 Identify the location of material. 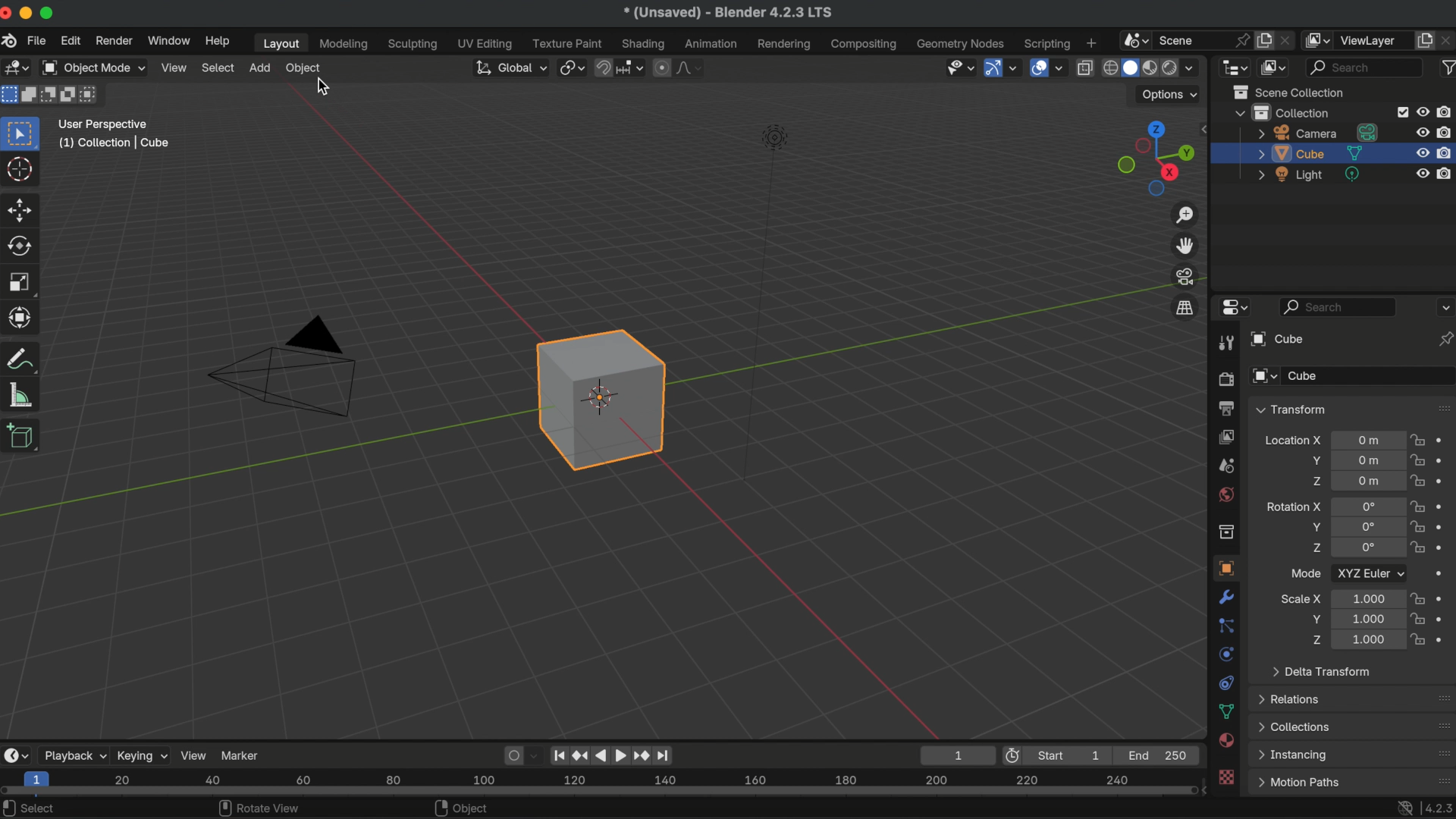
(1227, 742).